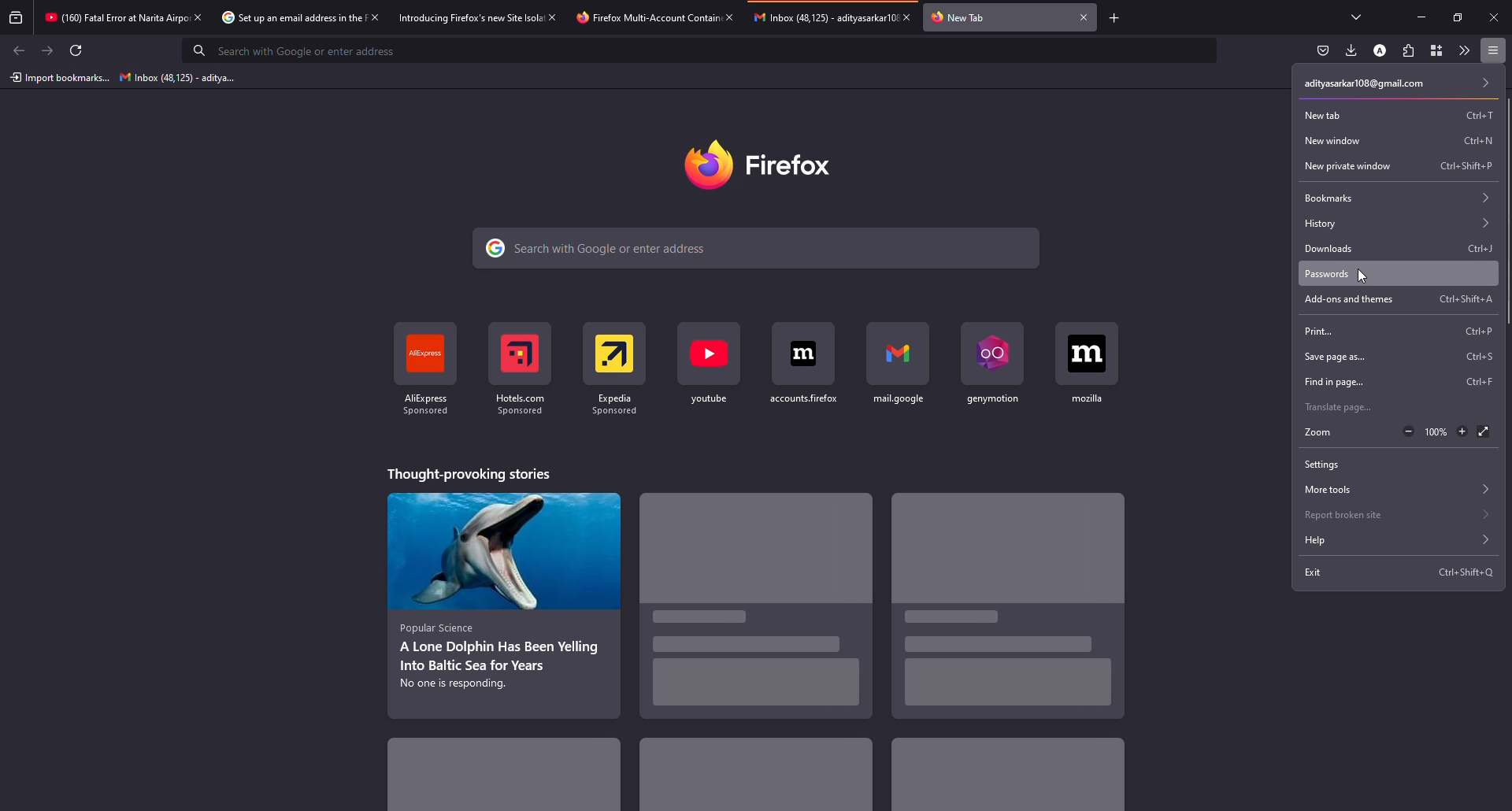 The height and width of the screenshot is (811, 1512). I want to click on full screen, so click(1484, 433).